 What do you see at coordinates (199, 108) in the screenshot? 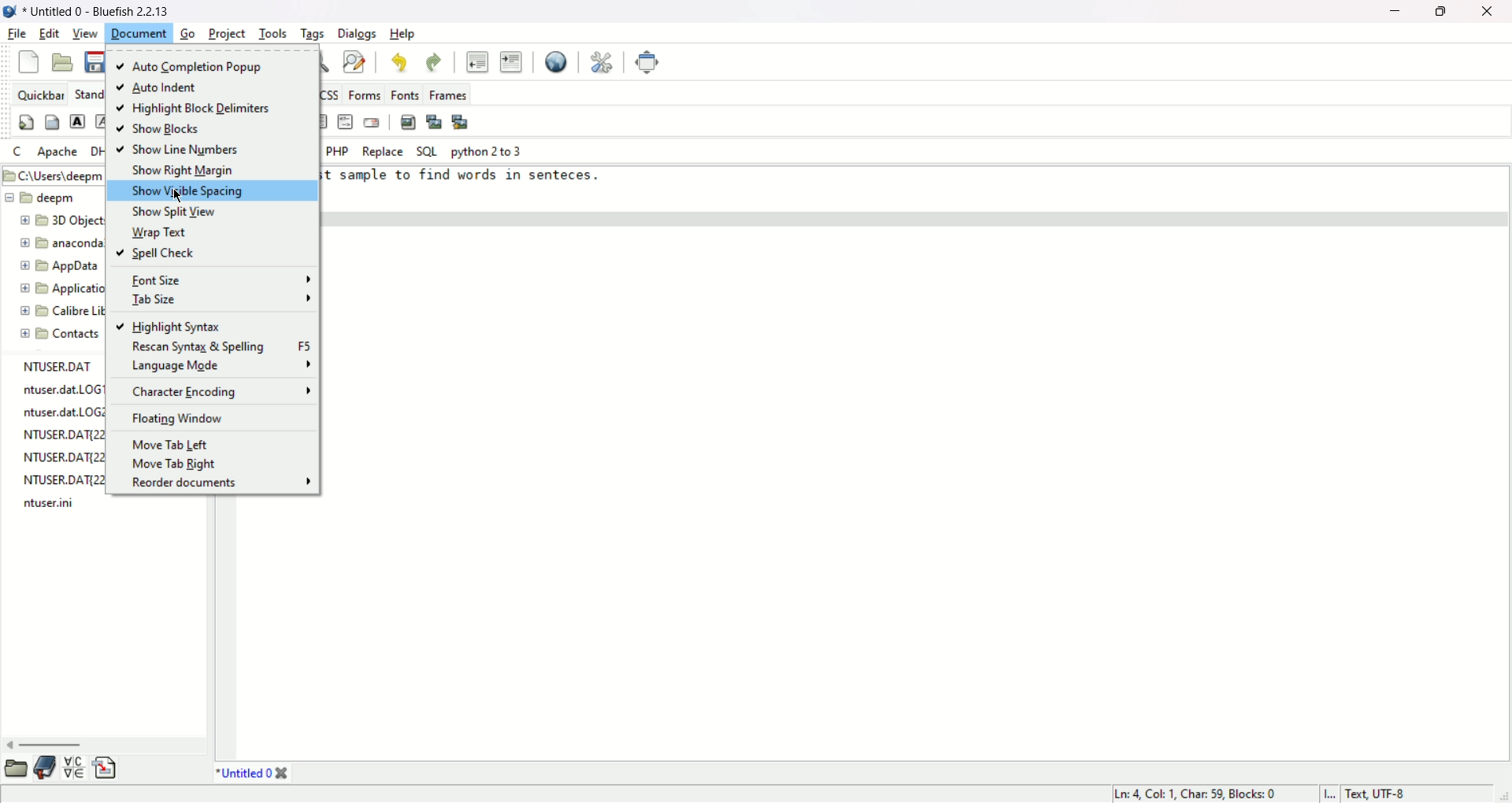
I see `highligh block delimiters` at bounding box center [199, 108].